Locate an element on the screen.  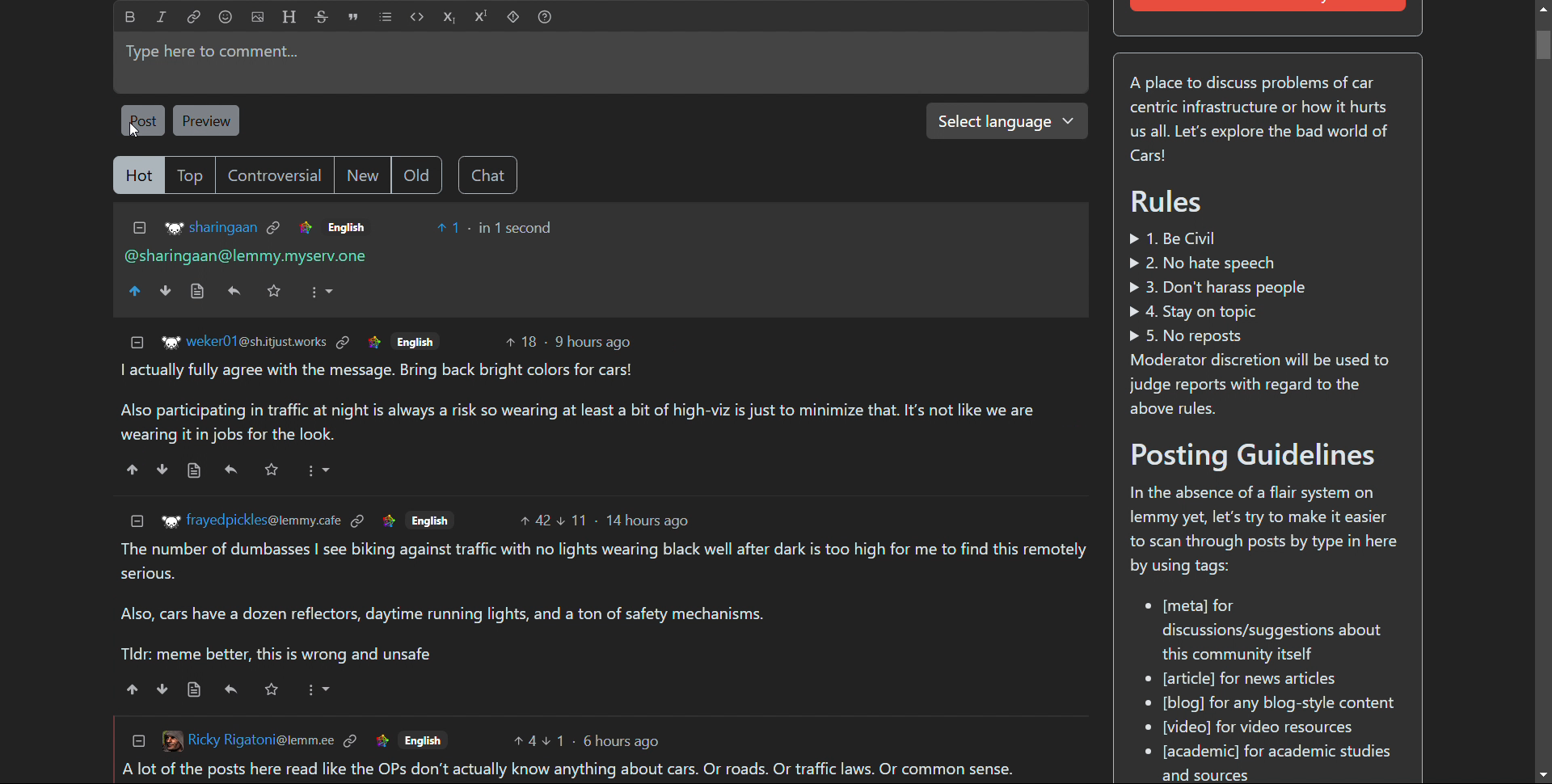
upvote is located at coordinates (133, 688).